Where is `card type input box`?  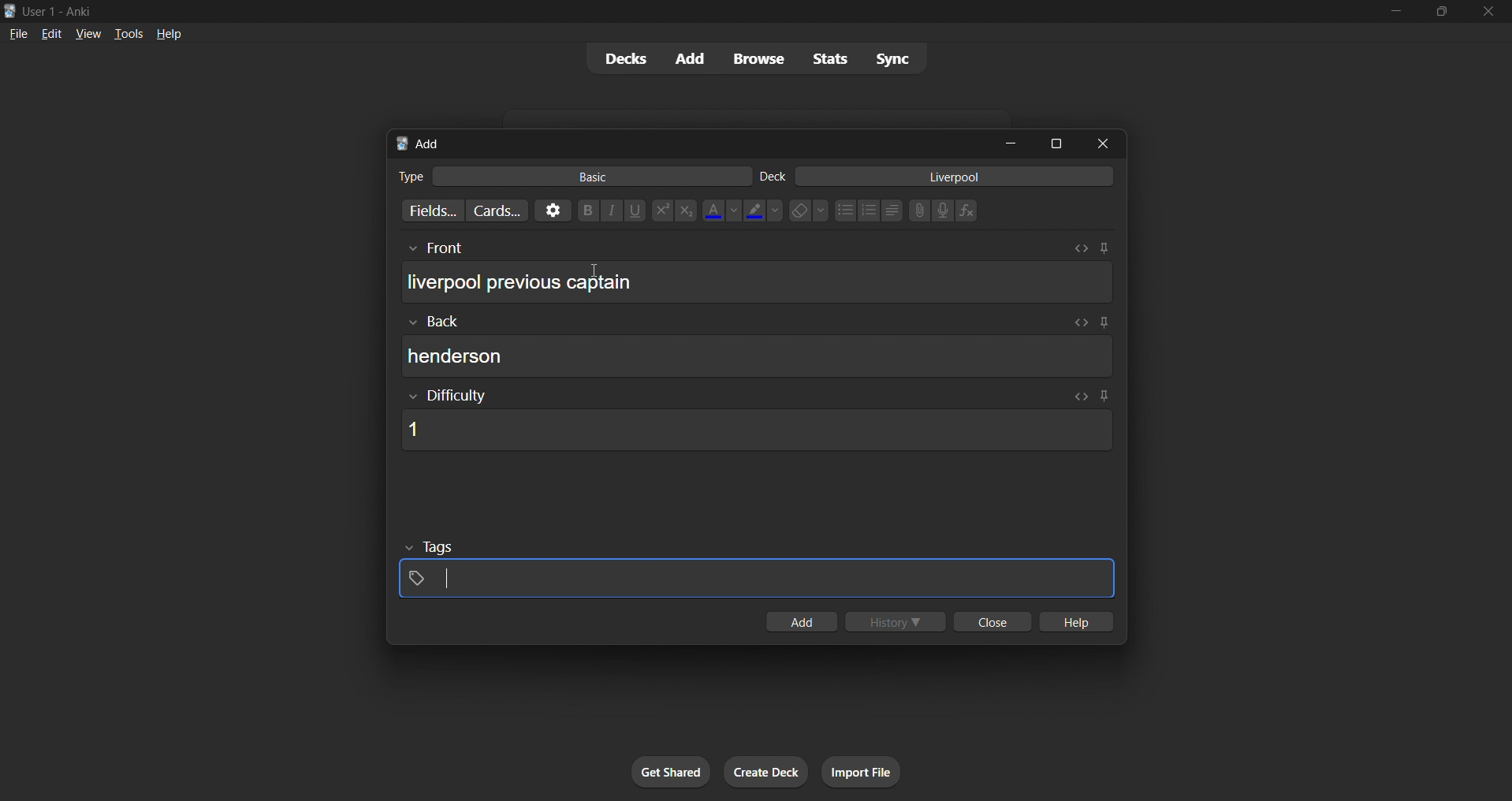 card type input box is located at coordinates (565, 173).